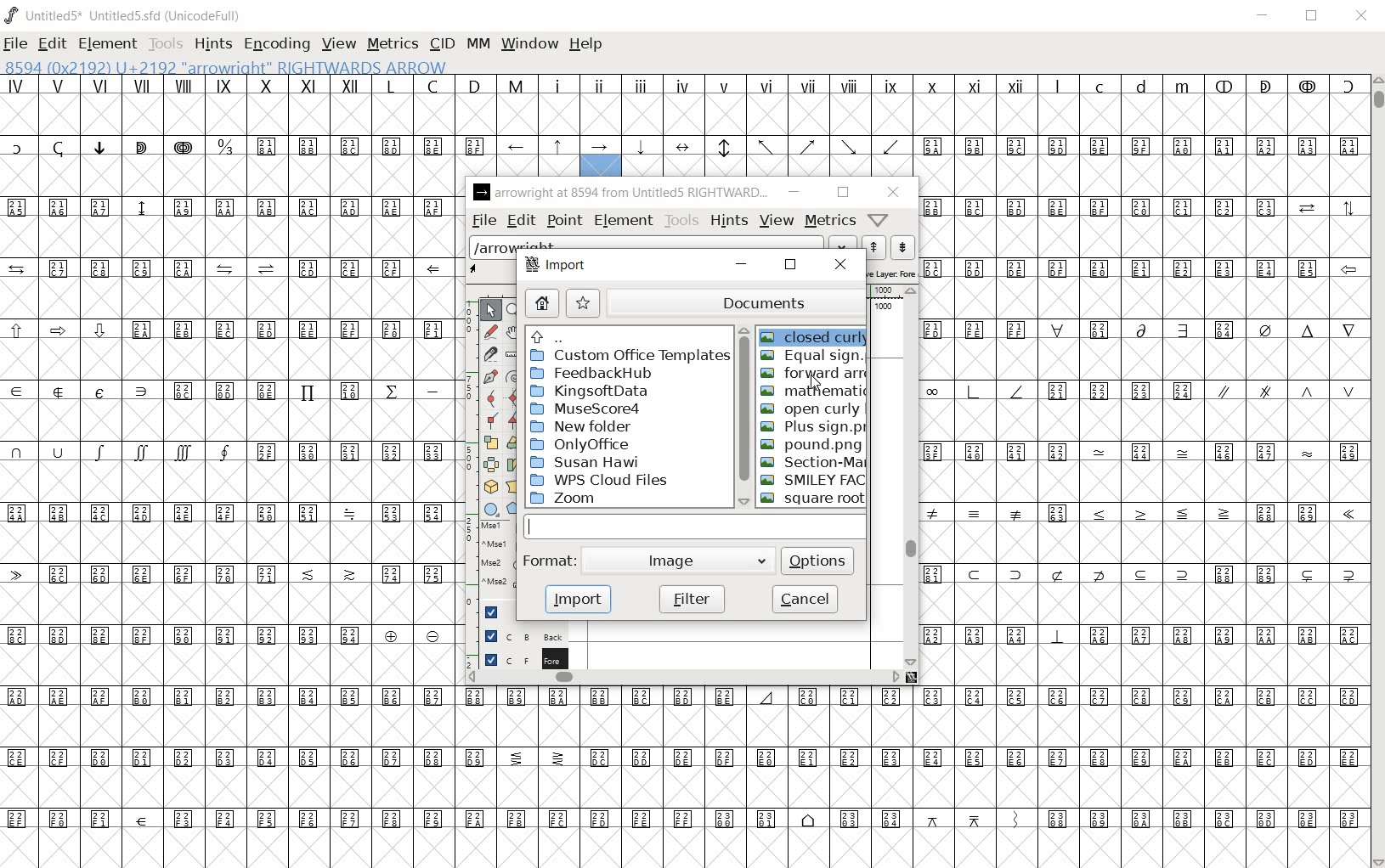 This screenshot has width=1385, height=868. I want to click on WPS Cloud Files, so click(601, 479).